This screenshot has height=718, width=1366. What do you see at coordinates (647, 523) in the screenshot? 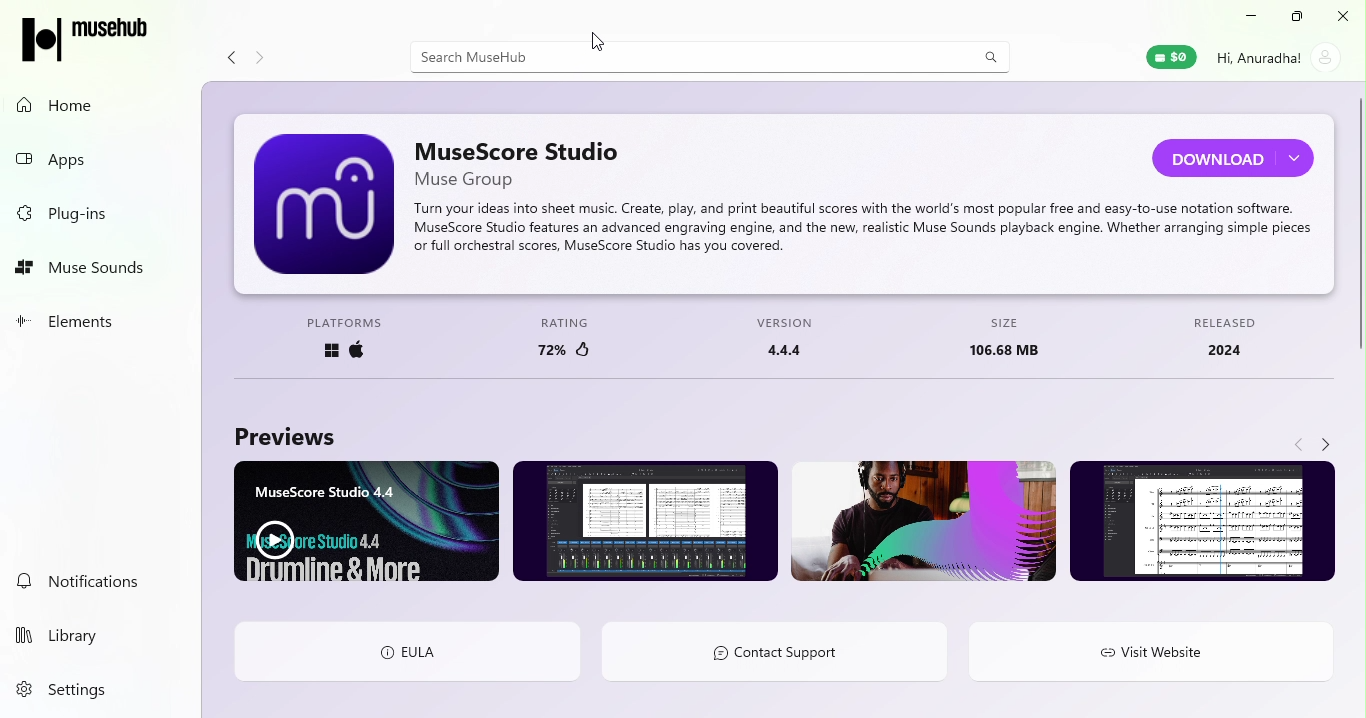
I see `Preview image` at bounding box center [647, 523].